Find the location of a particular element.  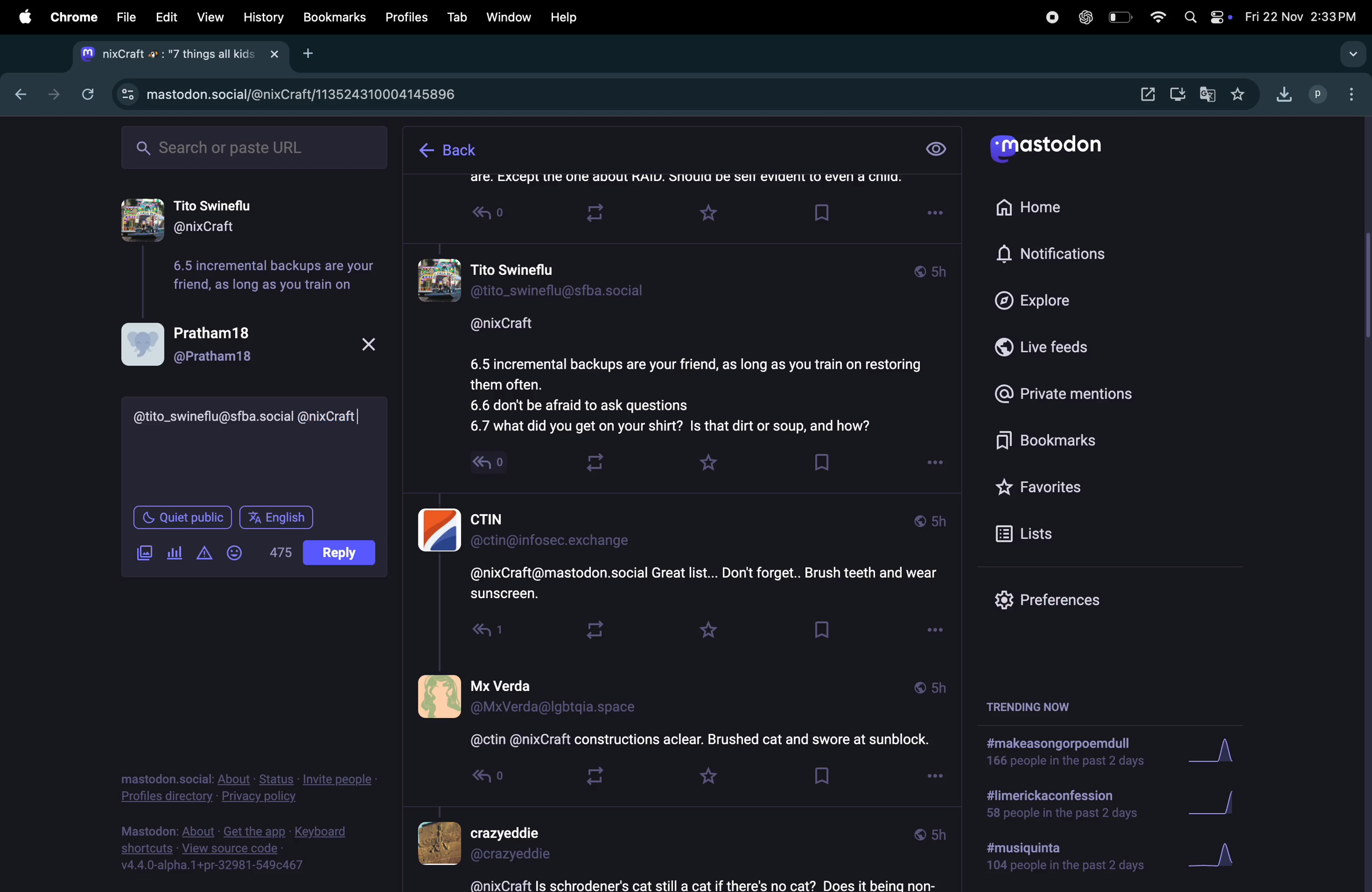

Loop is located at coordinates (608, 214).